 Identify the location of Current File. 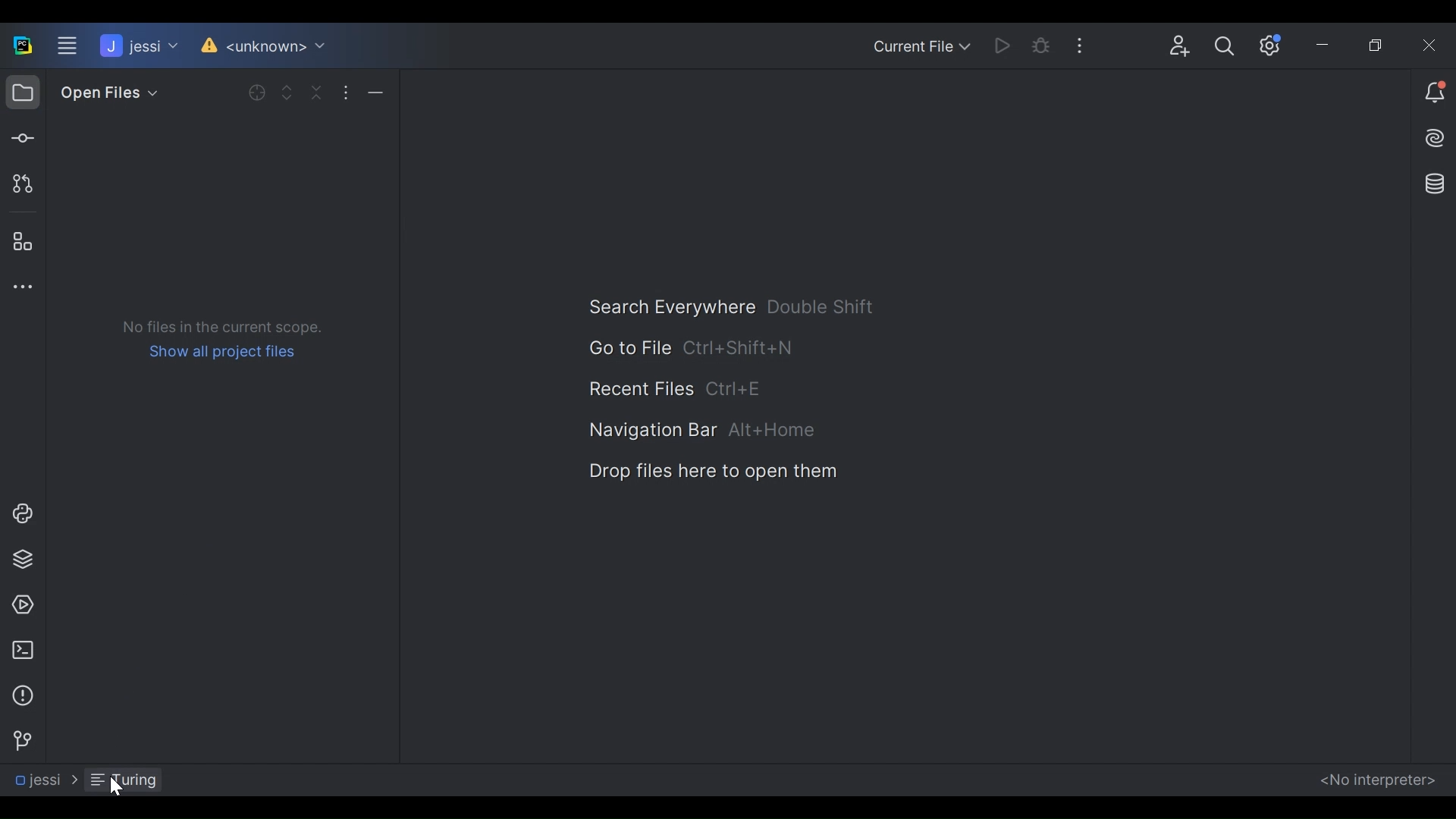
(923, 45).